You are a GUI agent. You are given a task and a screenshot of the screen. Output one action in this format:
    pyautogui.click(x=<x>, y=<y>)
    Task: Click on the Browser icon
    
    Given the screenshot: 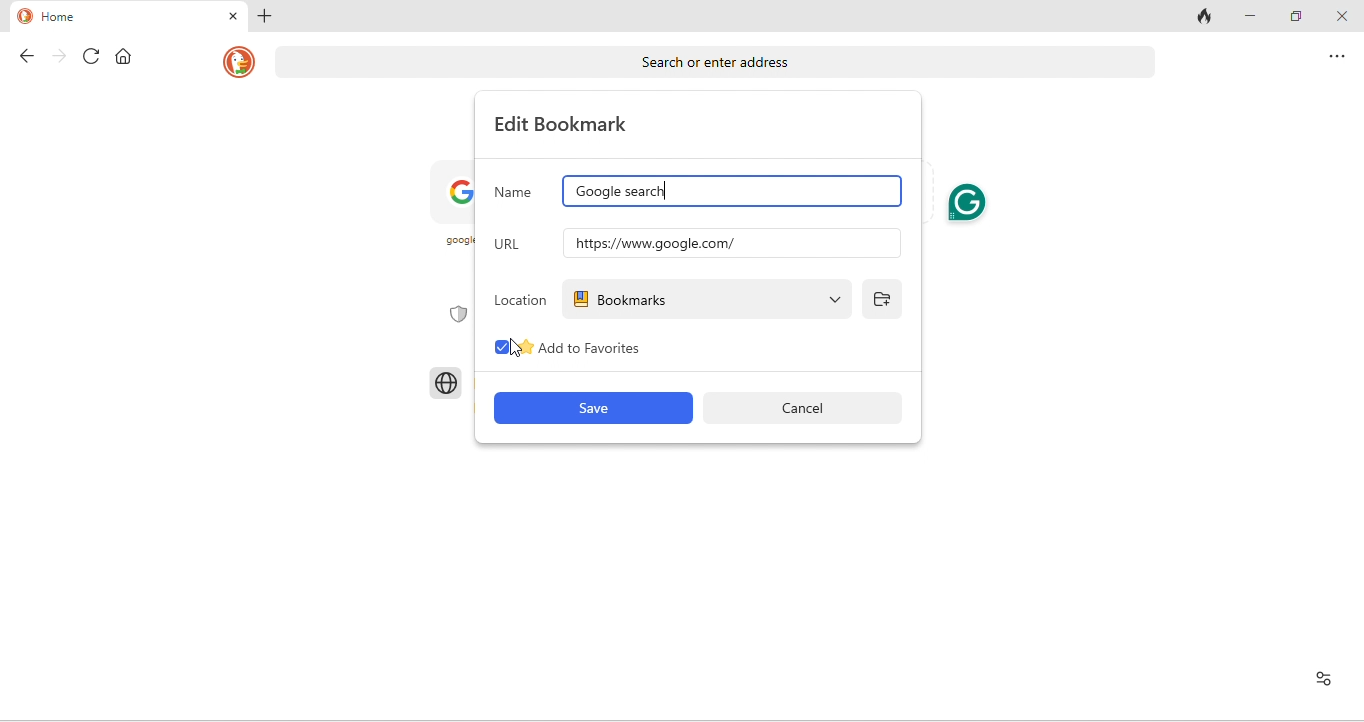 What is the action you would take?
    pyautogui.click(x=445, y=382)
    